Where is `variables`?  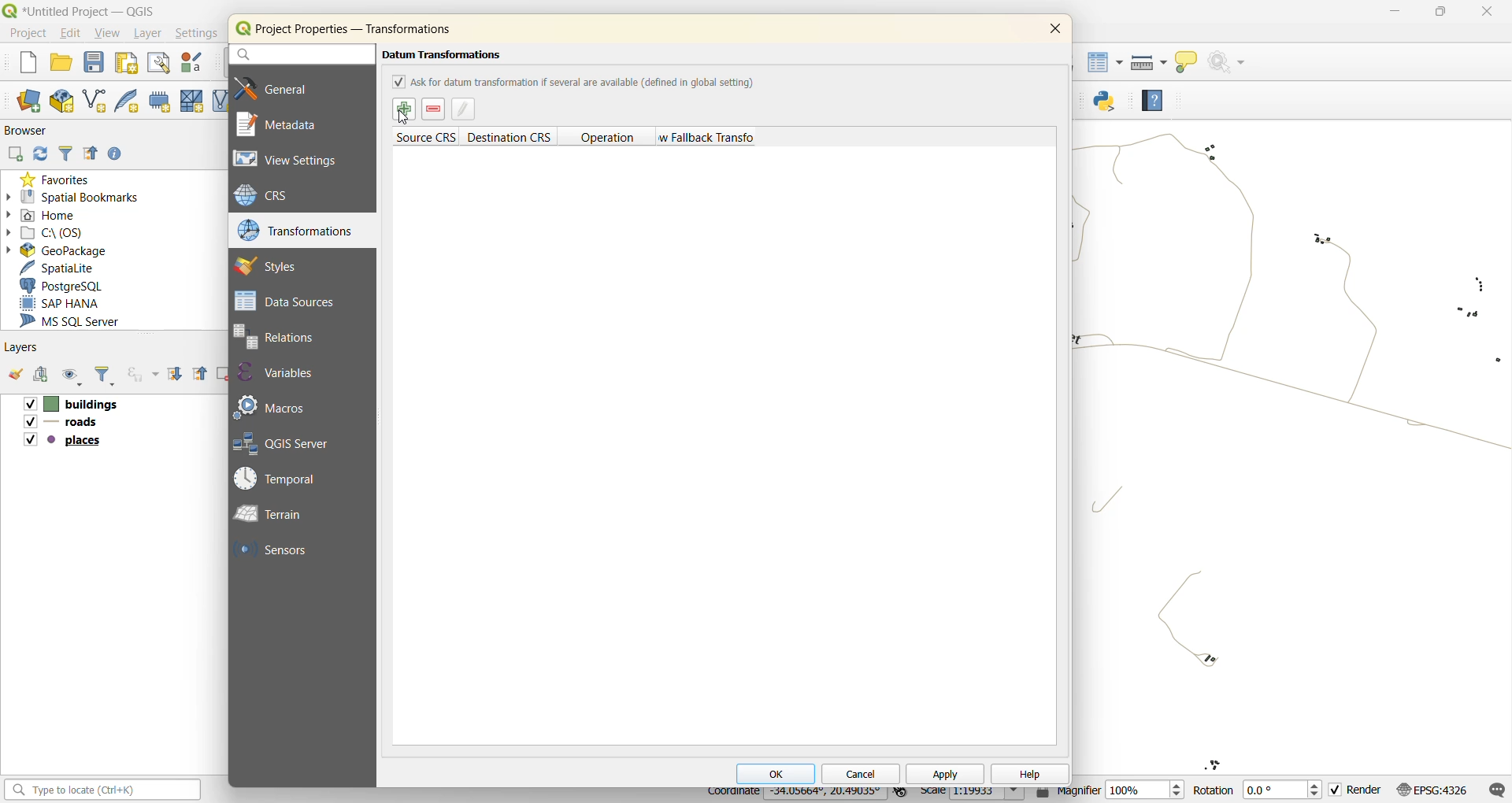 variables is located at coordinates (288, 373).